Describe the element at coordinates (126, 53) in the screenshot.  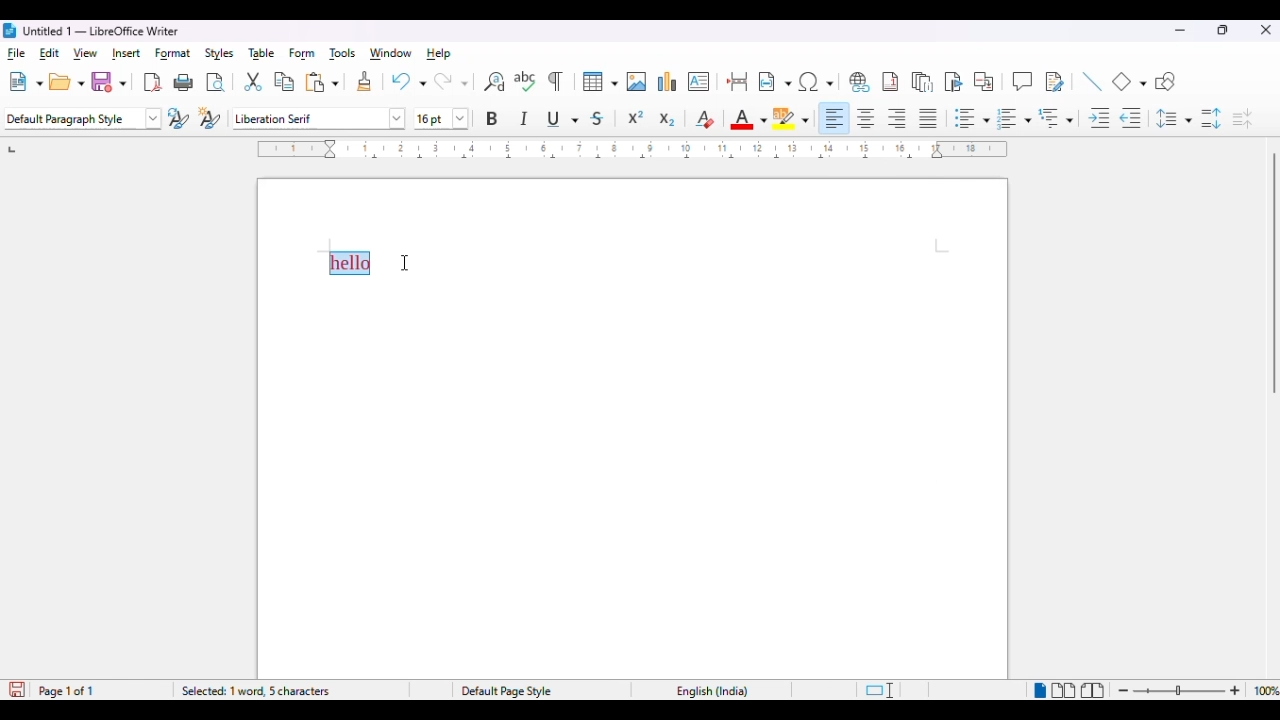
I see `insert` at that location.